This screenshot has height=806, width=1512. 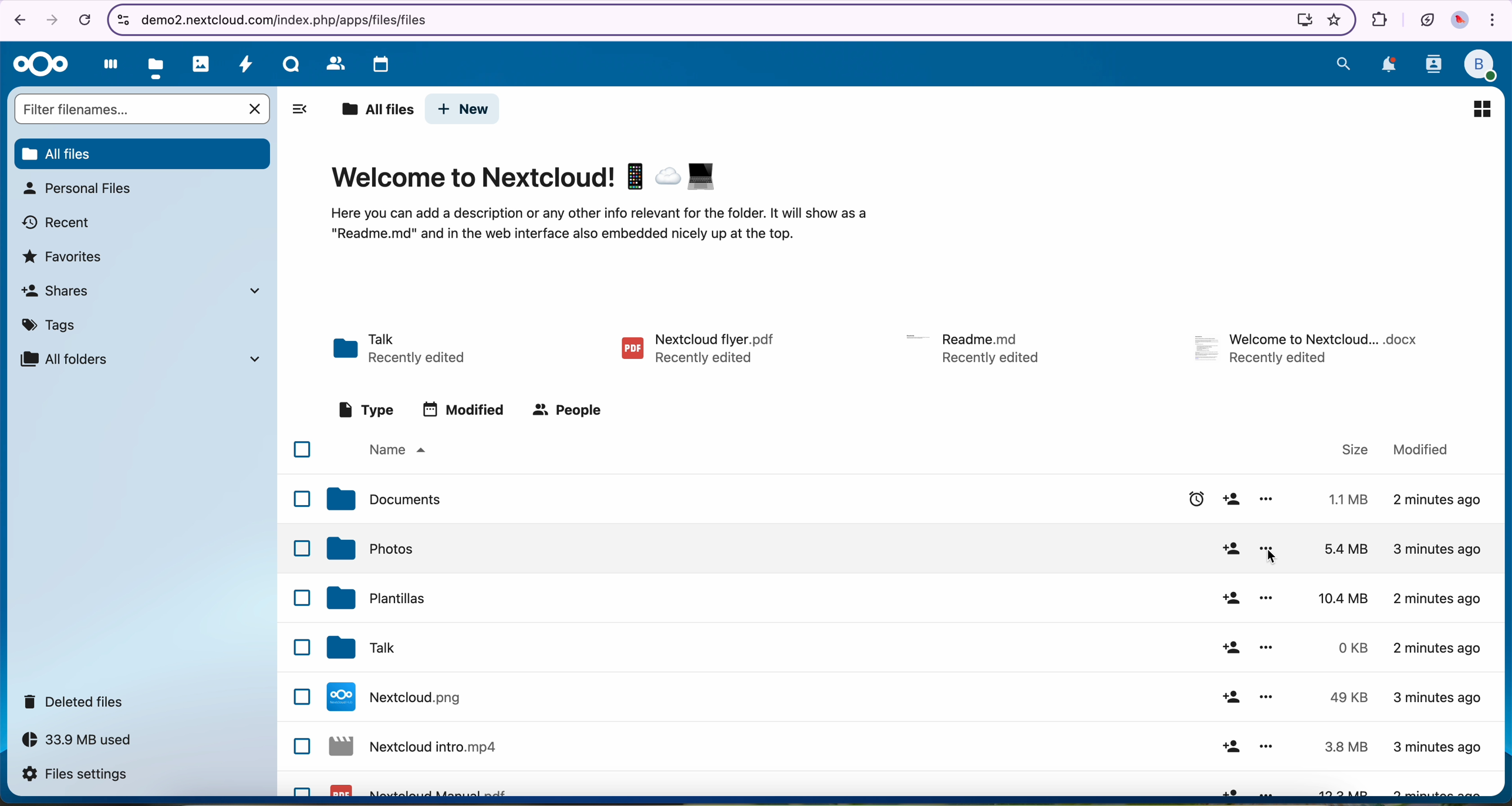 I want to click on click on more options, so click(x=1270, y=550).